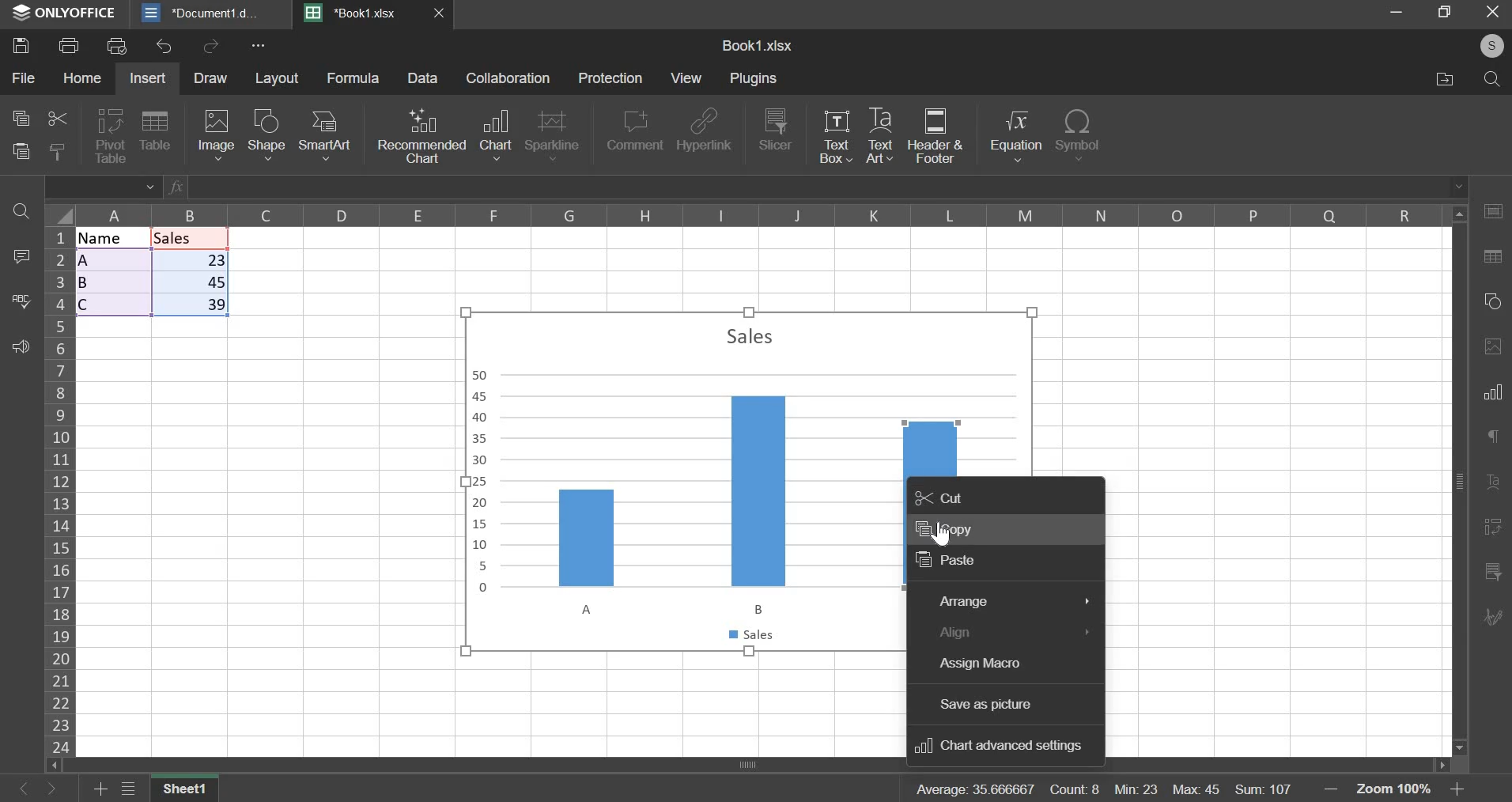  I want to click on cut, so click(56, 119).